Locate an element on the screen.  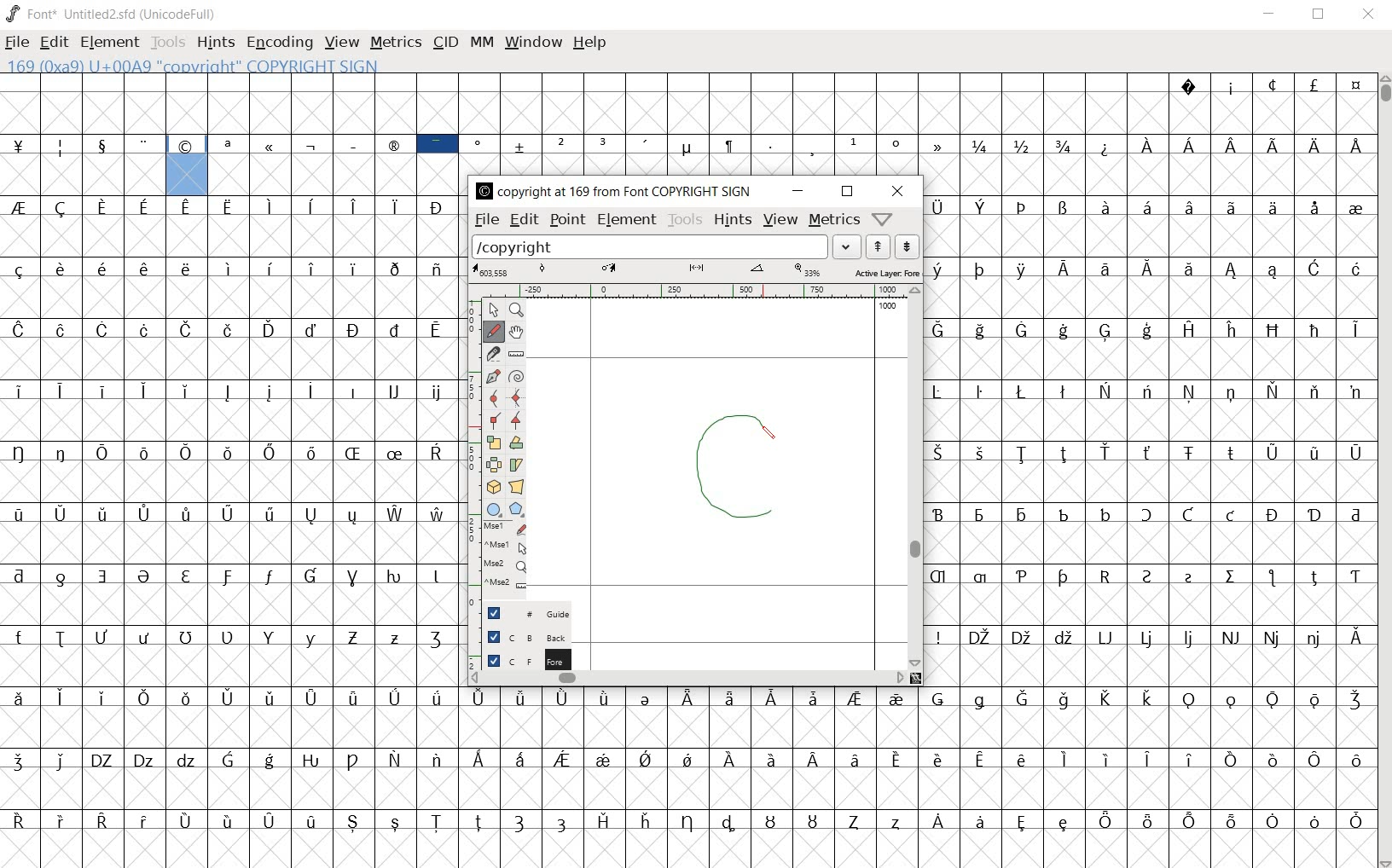
glyph characters is located at coordinates (1150, 438).